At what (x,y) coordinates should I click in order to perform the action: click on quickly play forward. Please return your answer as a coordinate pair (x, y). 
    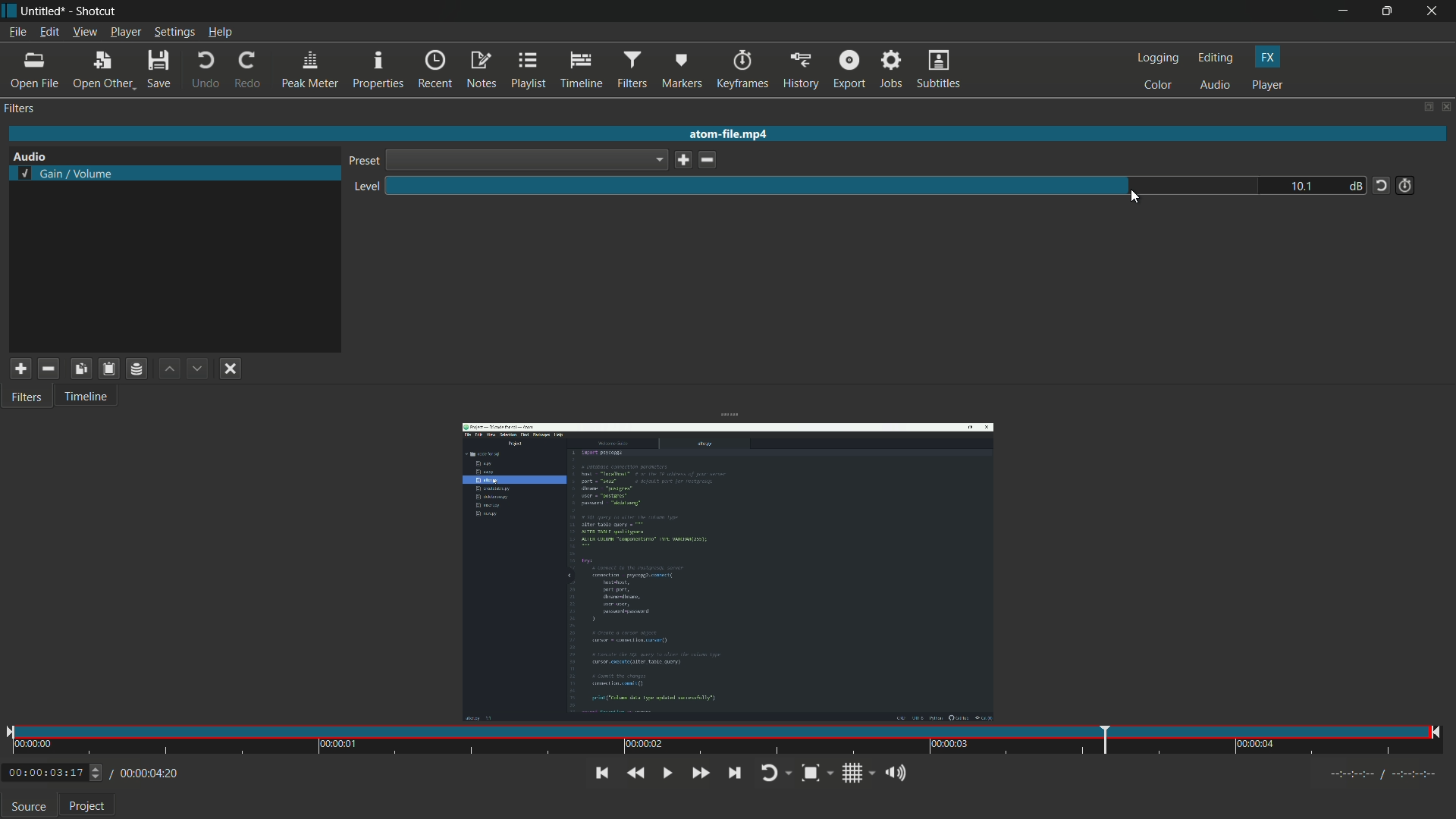
    Looking at the image, I should click on (702, 773).